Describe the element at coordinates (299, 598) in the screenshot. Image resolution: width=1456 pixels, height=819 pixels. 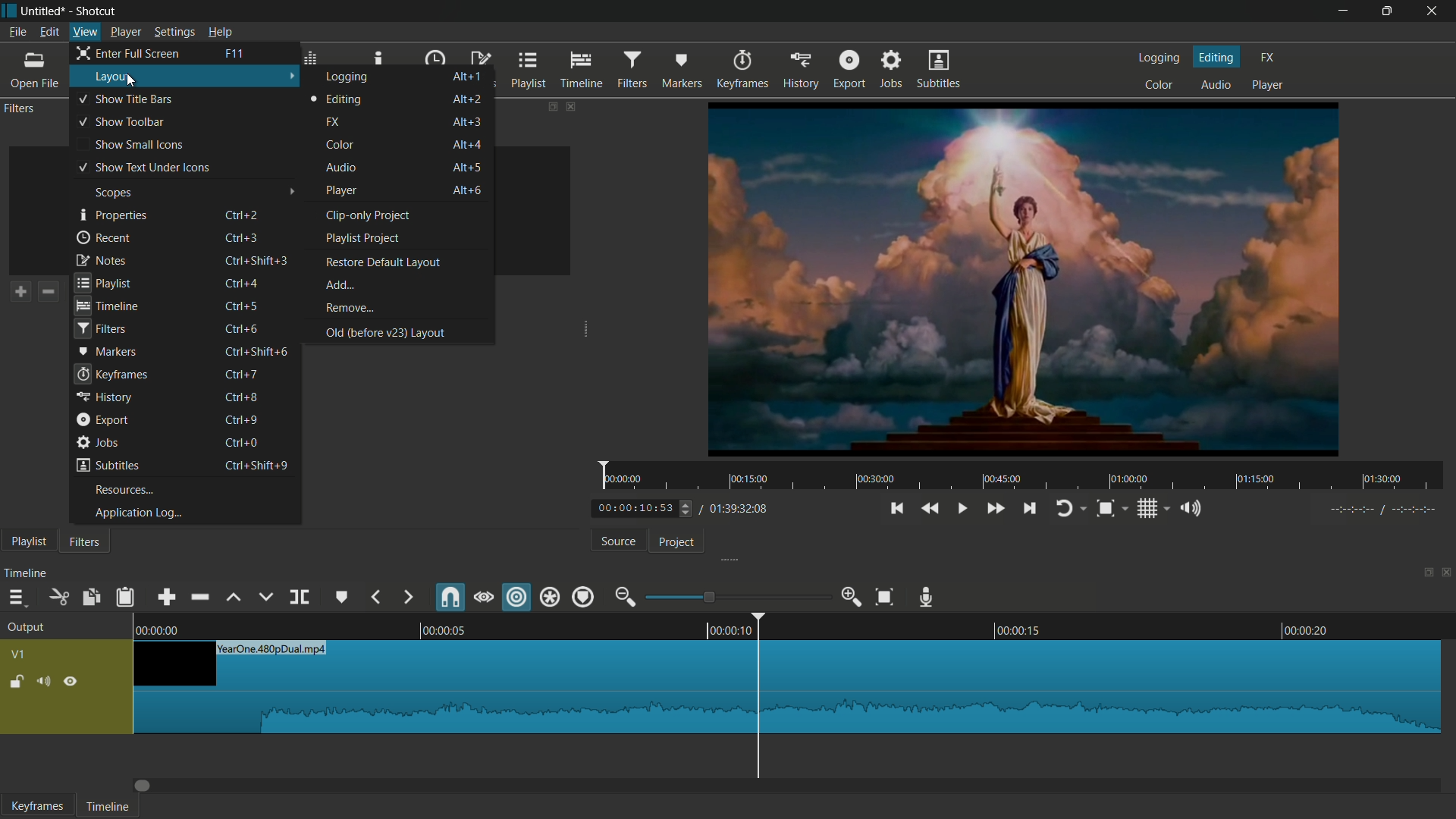
I see `split at playhead` at that location.